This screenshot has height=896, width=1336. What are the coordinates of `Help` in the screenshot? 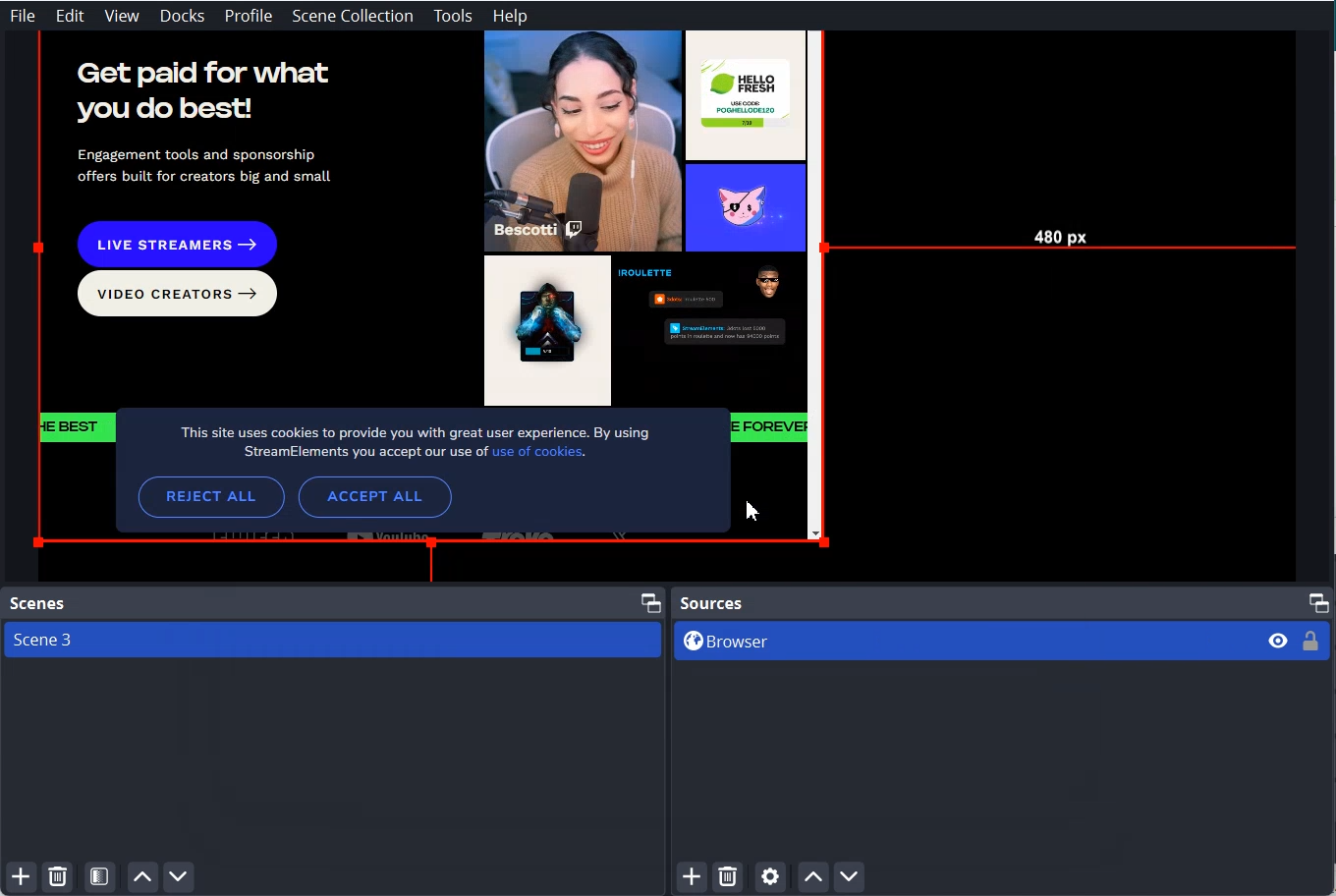 It's located at (510, 17).